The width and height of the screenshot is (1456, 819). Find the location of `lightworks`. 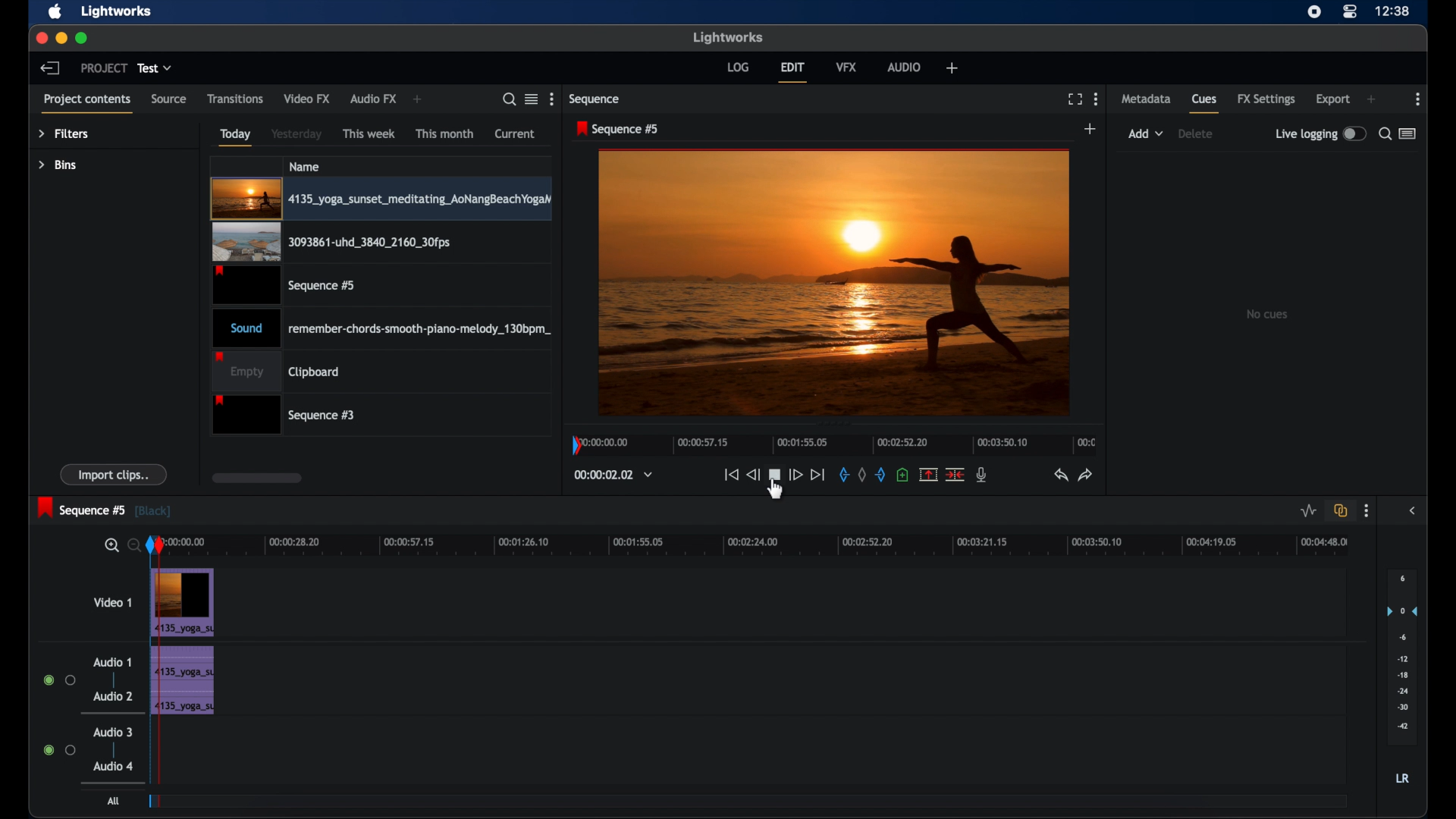

lightworks is located at coordinates (728, 37).